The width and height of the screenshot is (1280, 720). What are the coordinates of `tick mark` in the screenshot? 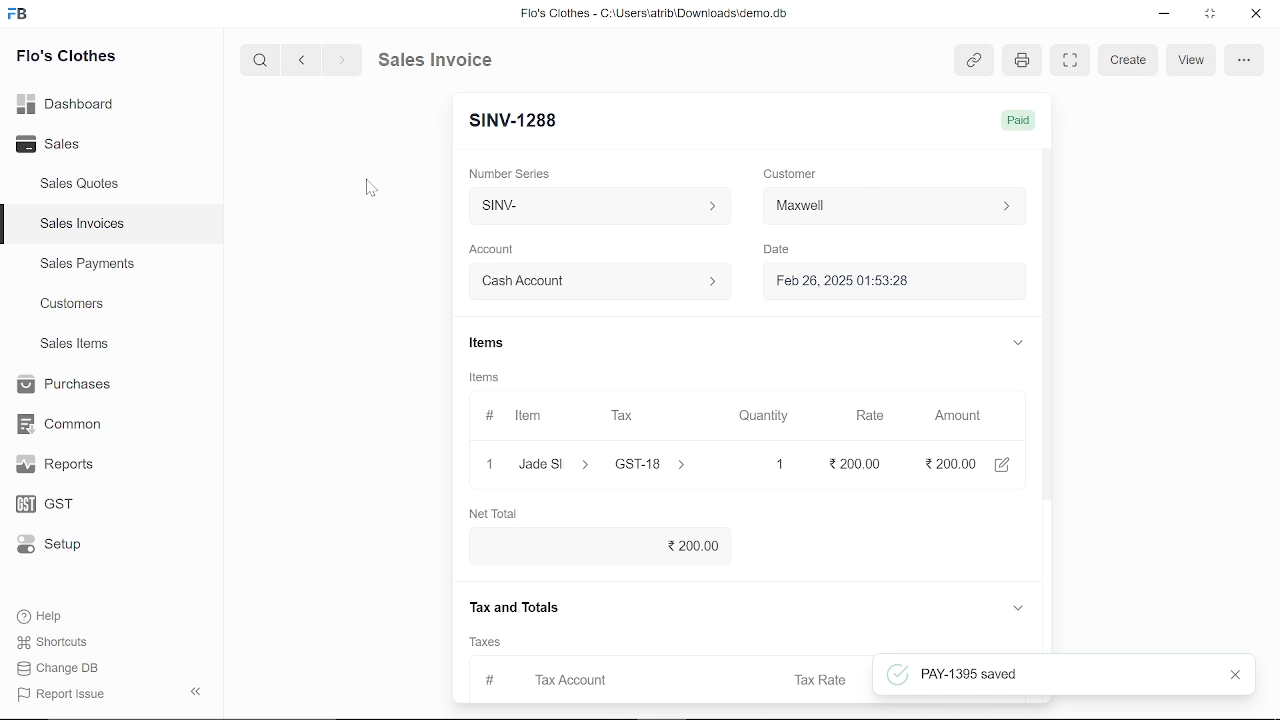 It's located at (896, 675).